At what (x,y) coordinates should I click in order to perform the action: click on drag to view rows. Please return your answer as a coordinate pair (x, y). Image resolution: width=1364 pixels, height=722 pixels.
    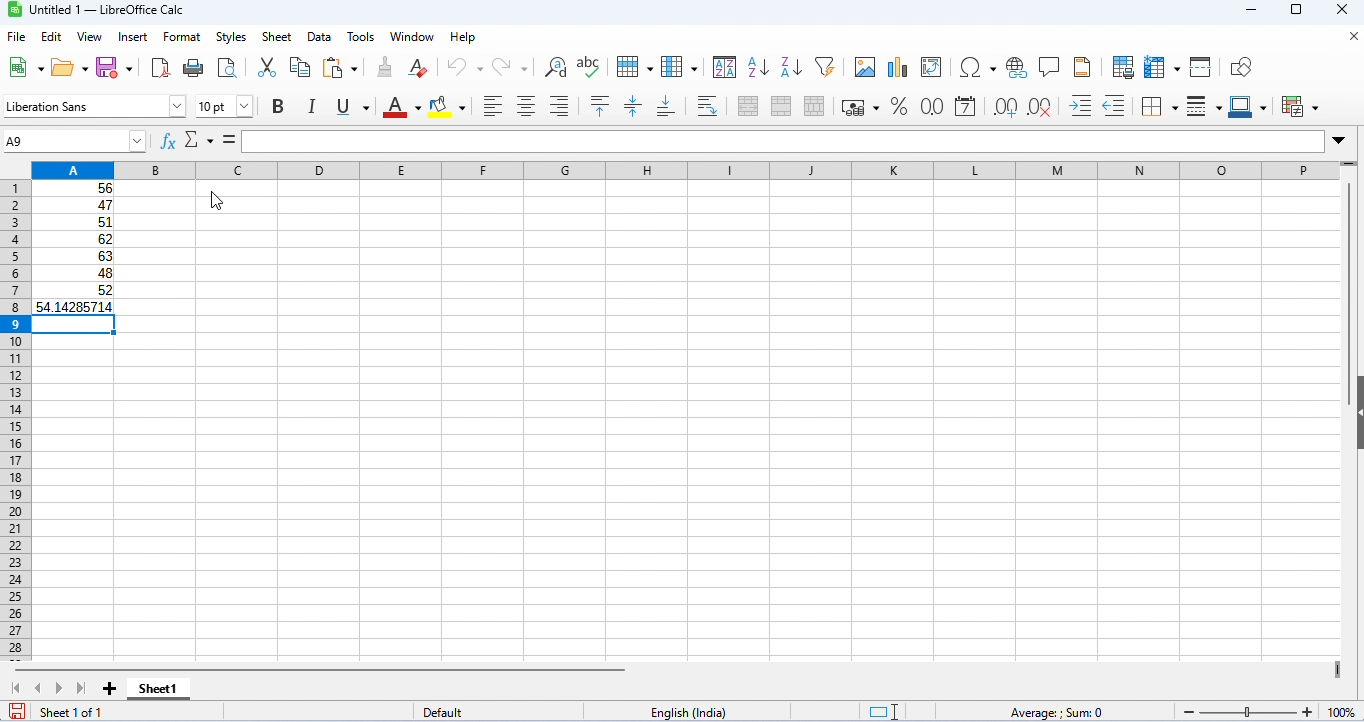
    Looking at the image, I should click on (1348, 166).